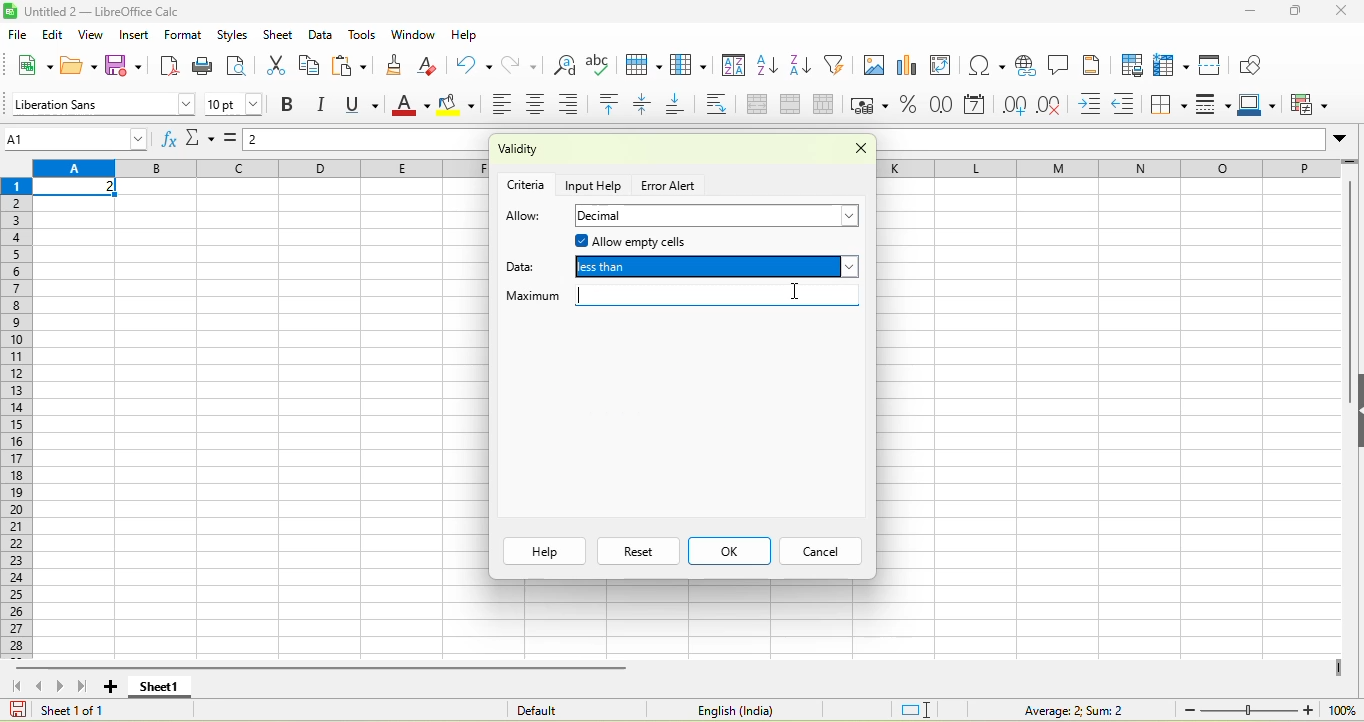 This screenshot has width=1364, height=722. Describe the element at coordinates (638, 551) in the screenshot. I see `reset` at that location.